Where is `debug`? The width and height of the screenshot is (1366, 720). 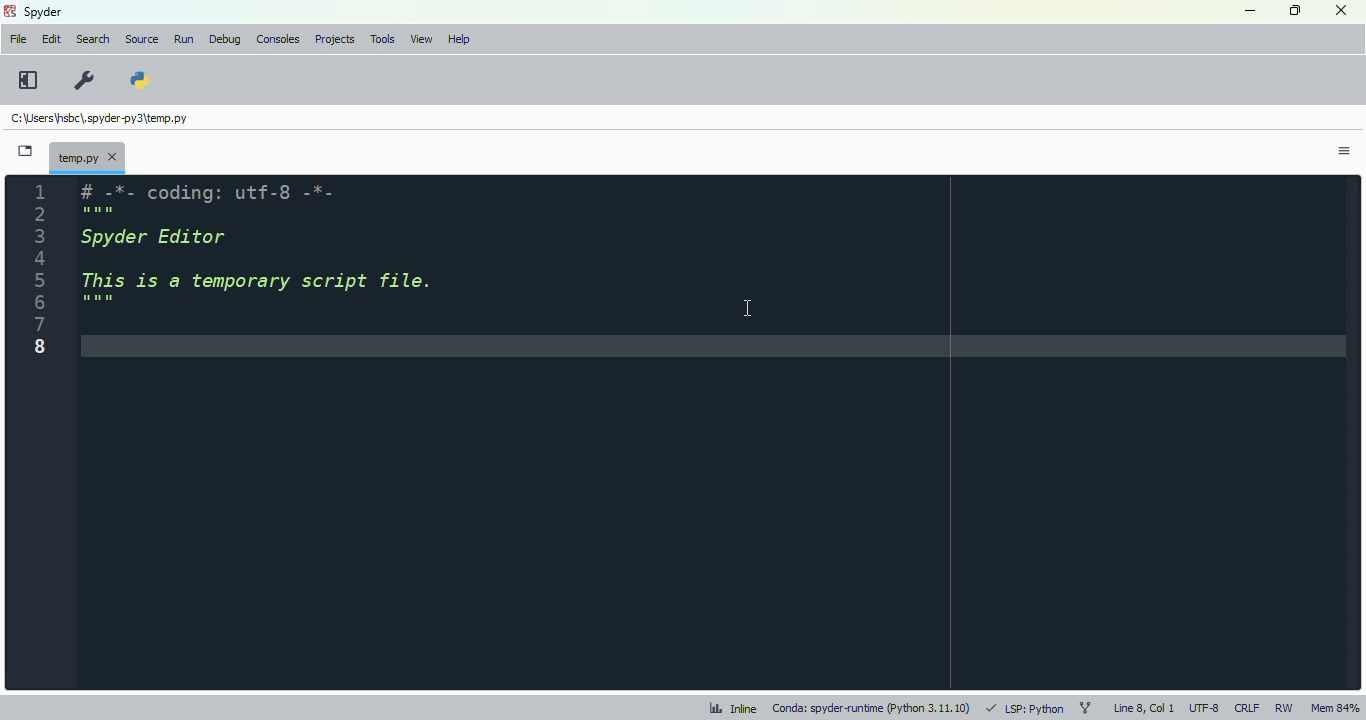
debug is located at coordinates (225, 39).